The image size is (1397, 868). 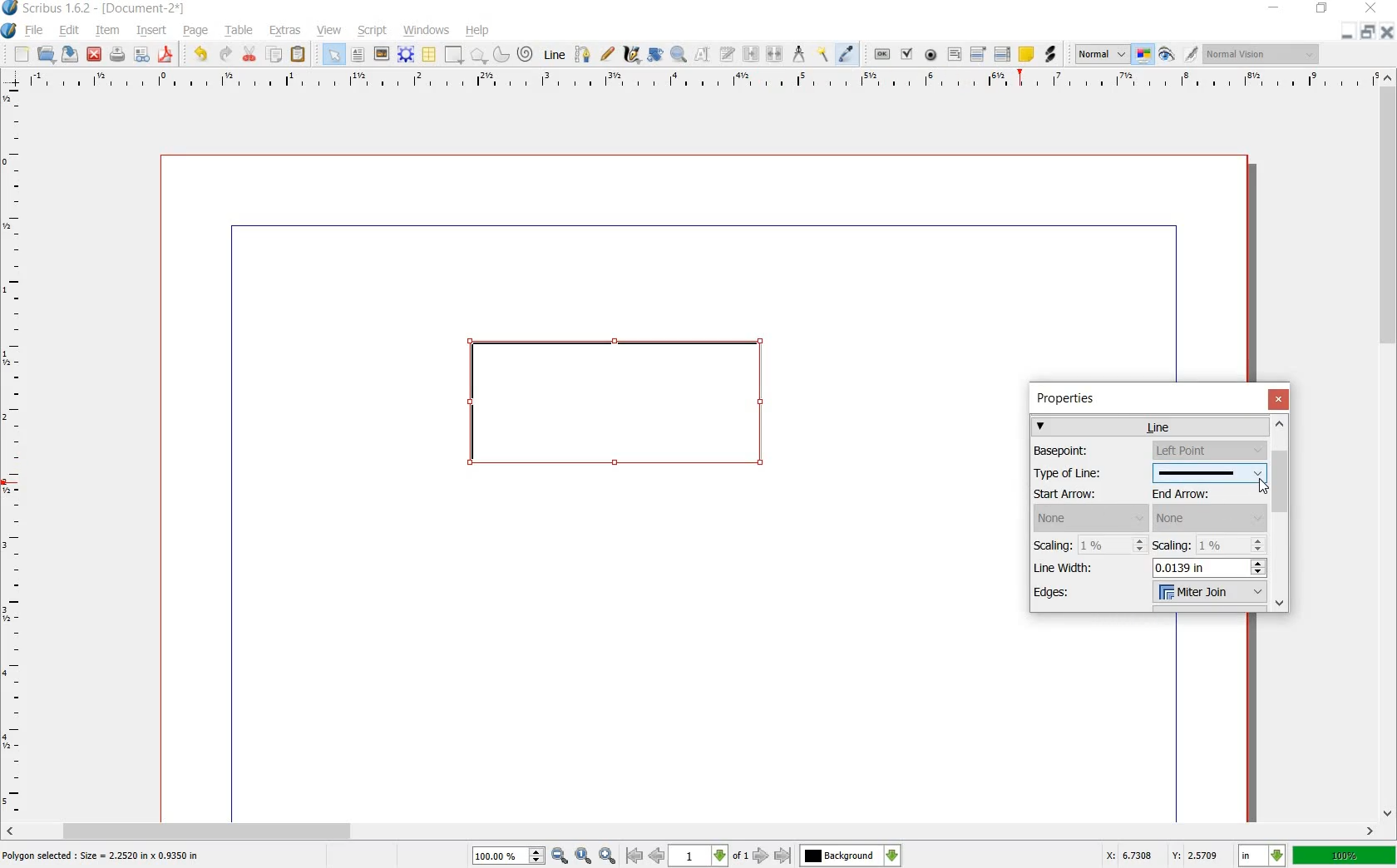 What do you see at coordinates (334, 56) in the screenshot?
I see `SELECT` at bounding box center [334, 56].